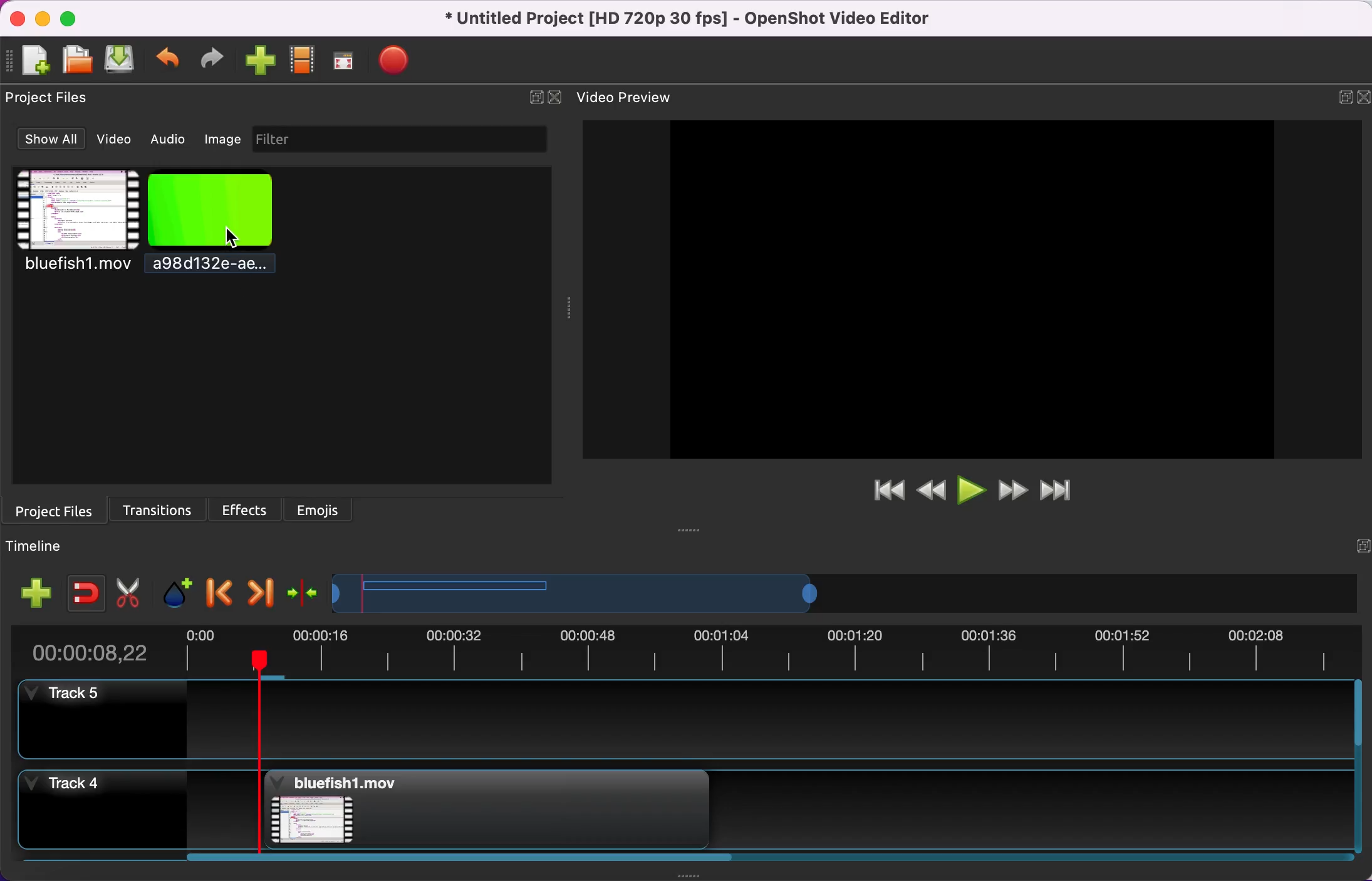 This screenshot has height=881, width=1372. Describe the element at coordinates (46, 548) in the screenshot. I see `timeline` at that location.